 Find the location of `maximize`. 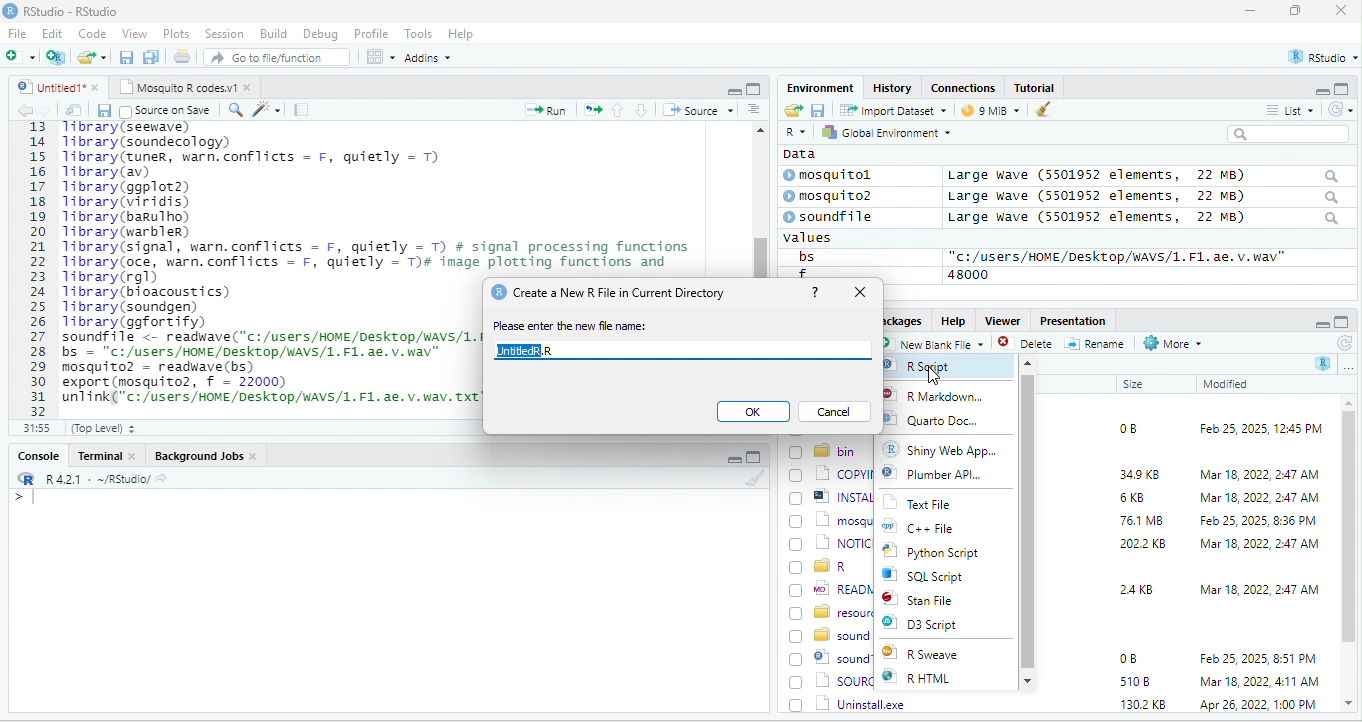

maximize is located at coordinates (753, 88).